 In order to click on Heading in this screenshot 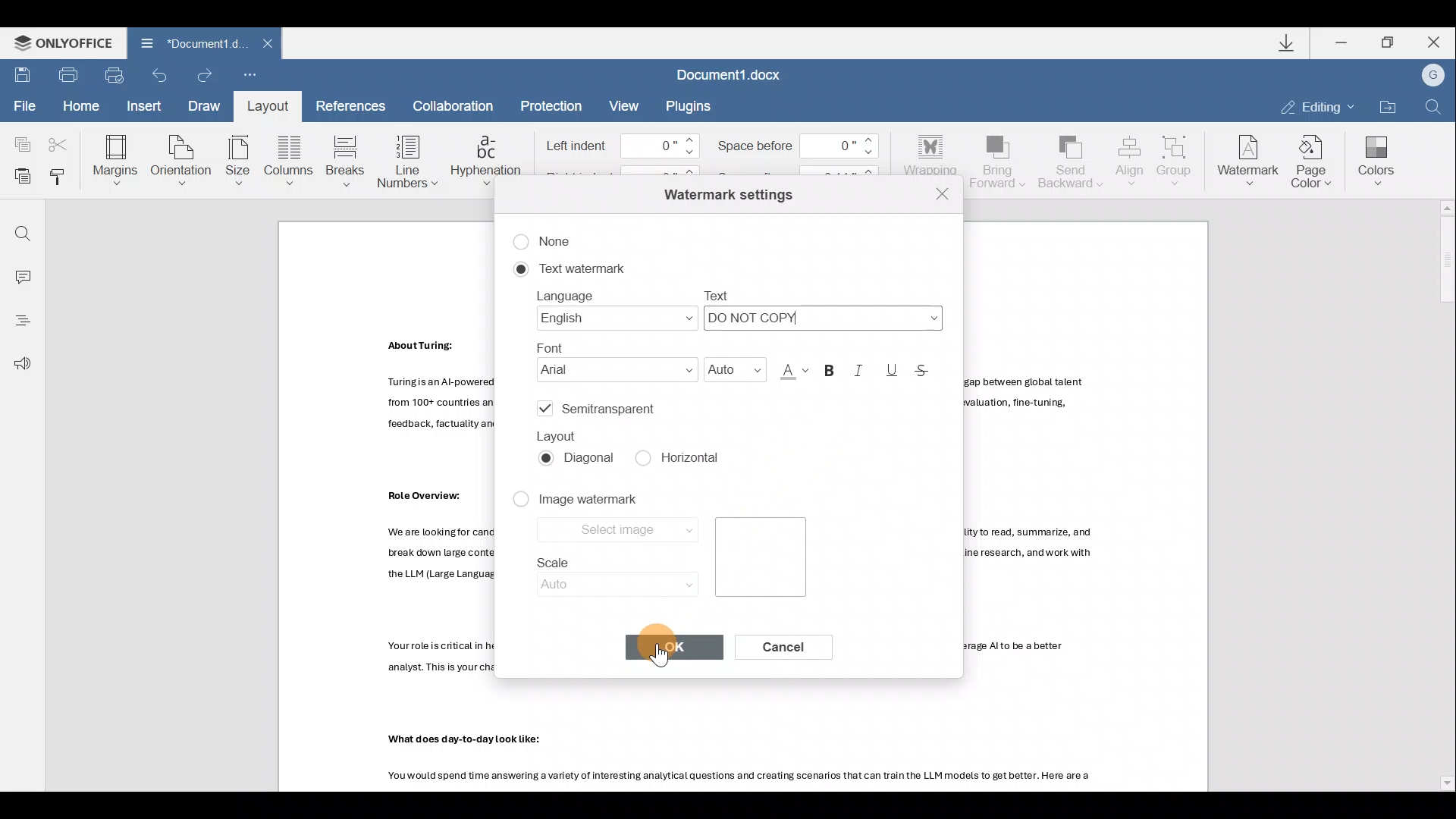, I will do `click(21, 321)`.